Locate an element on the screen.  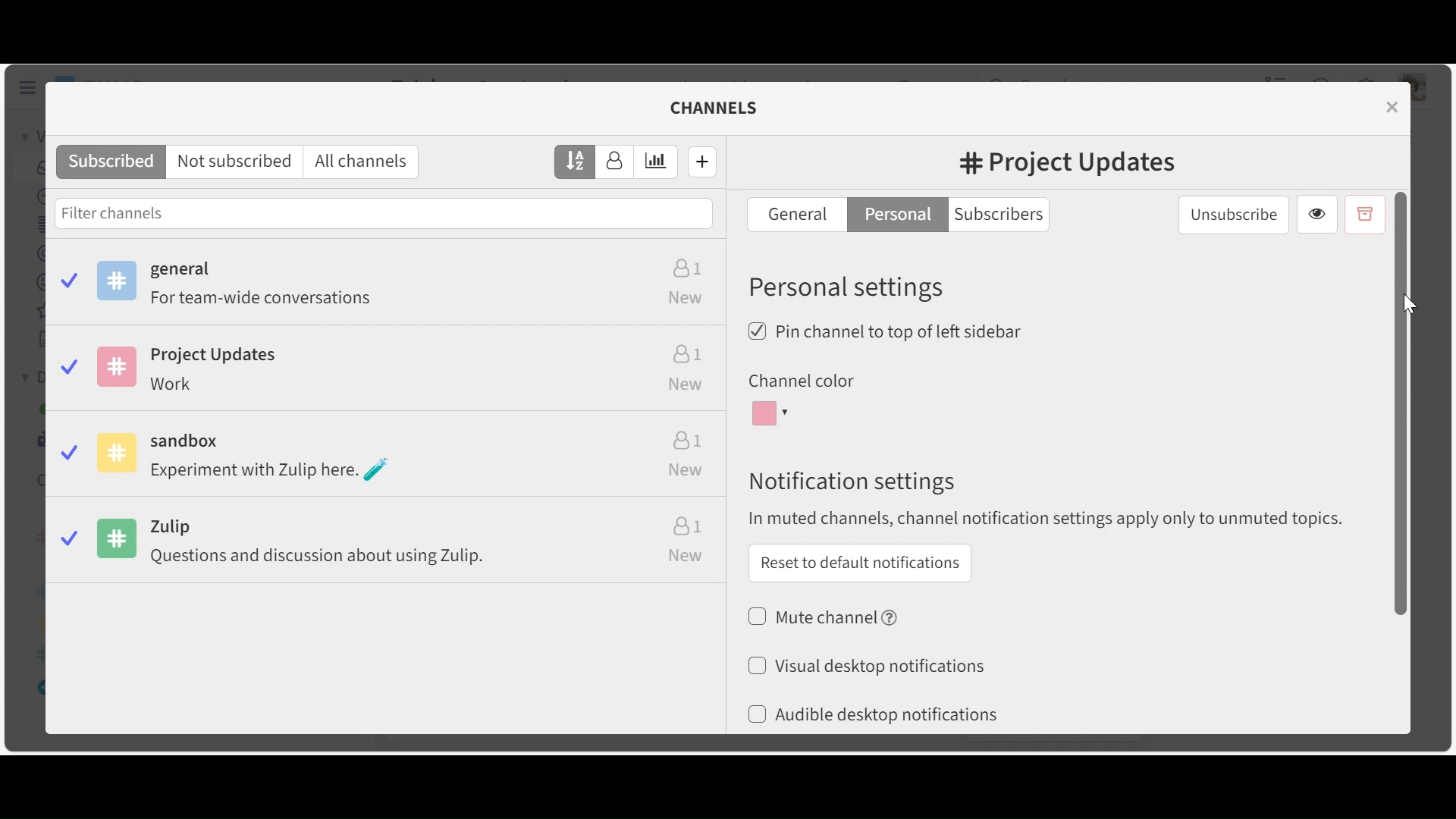
All channels is located at coordinates (366, 162).